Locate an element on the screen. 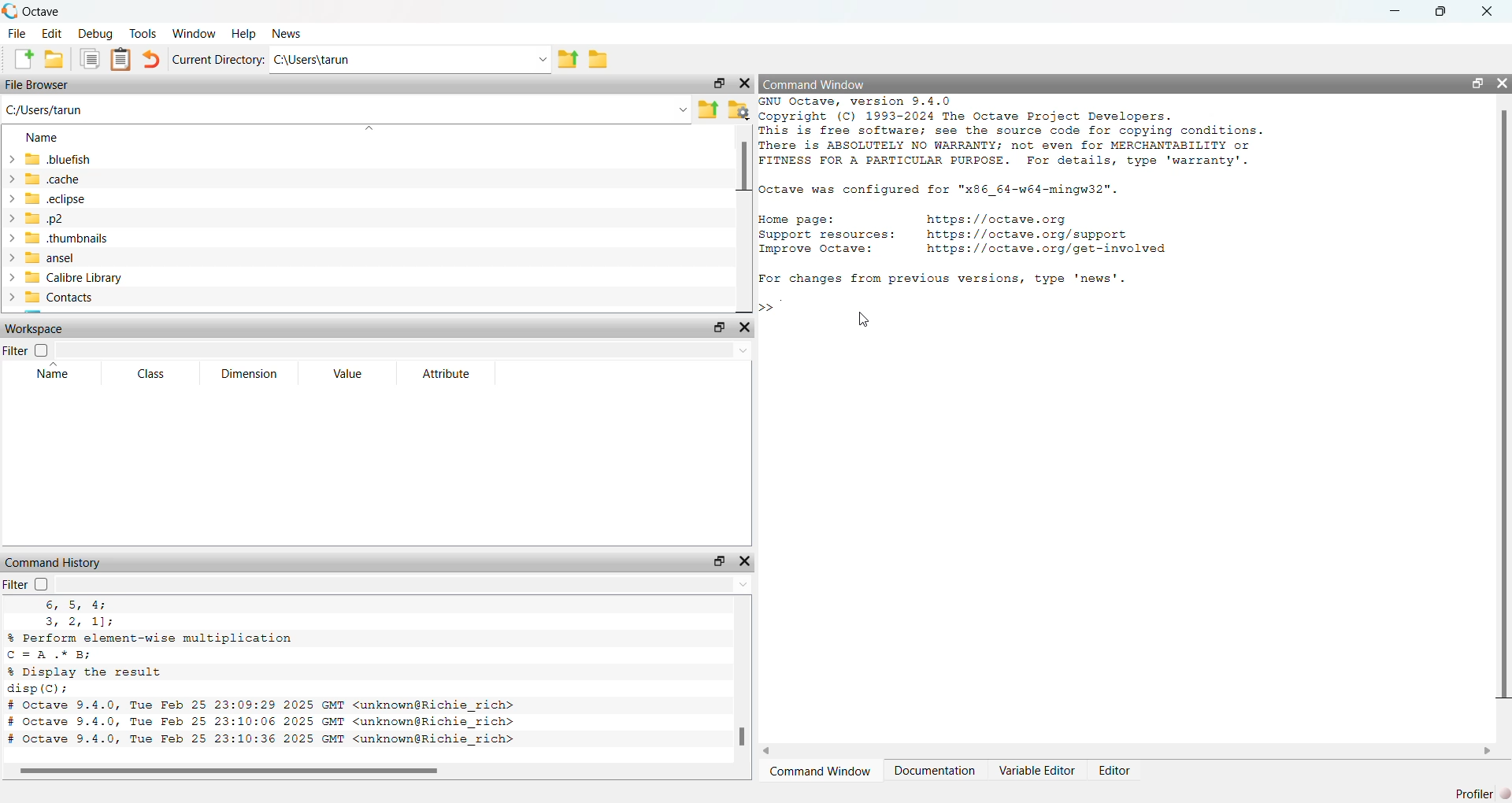 This screenshot has height=803, width=1512. # Octave 9.4.0, Tue Feb 25 23:09:29 2025 GMT <unknown@Richie rich> is located at coordinates (263, 706).